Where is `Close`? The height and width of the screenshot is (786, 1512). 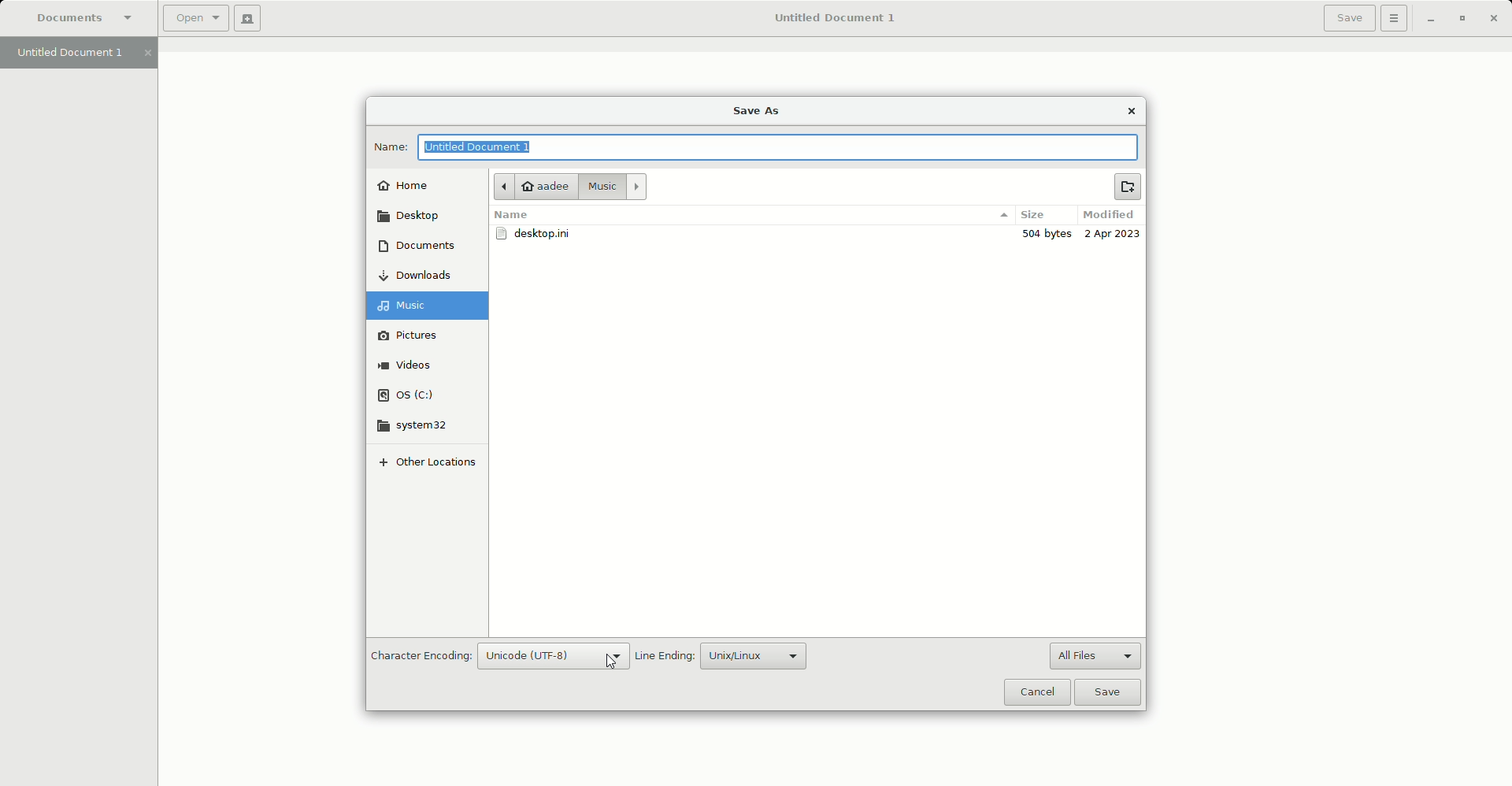 Close is located at coordinates (1494, 18).